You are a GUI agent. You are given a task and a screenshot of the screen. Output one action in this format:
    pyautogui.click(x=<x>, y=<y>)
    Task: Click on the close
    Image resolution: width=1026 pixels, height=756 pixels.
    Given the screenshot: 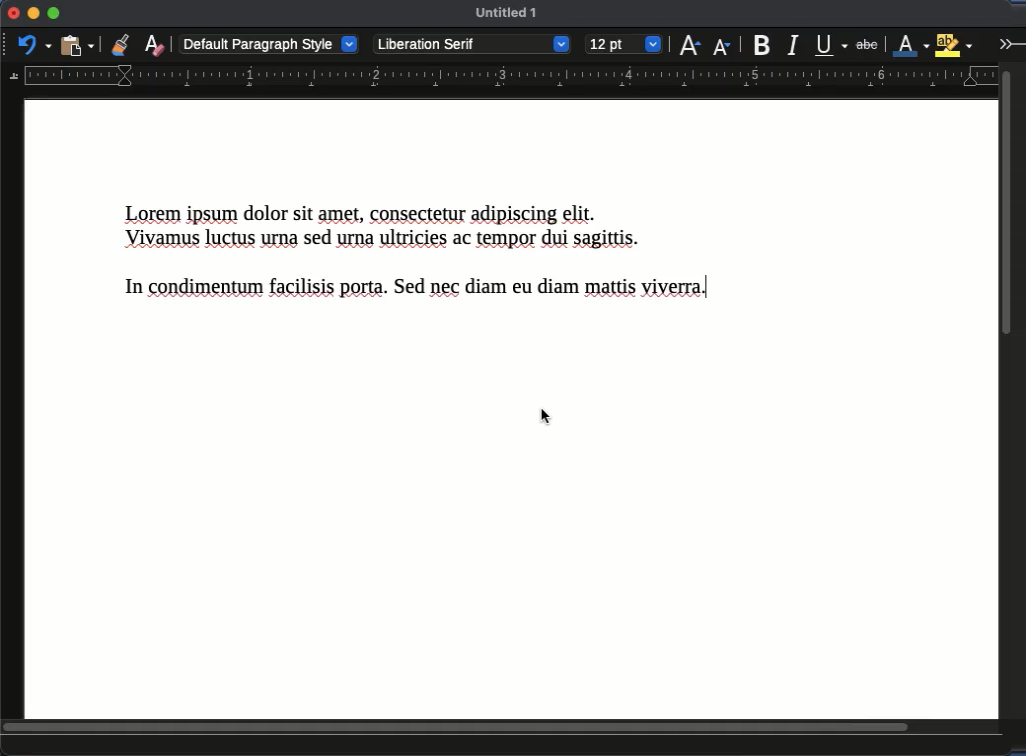 What is the action you would take?
    pyautogui.click(x=12, y=14)
    